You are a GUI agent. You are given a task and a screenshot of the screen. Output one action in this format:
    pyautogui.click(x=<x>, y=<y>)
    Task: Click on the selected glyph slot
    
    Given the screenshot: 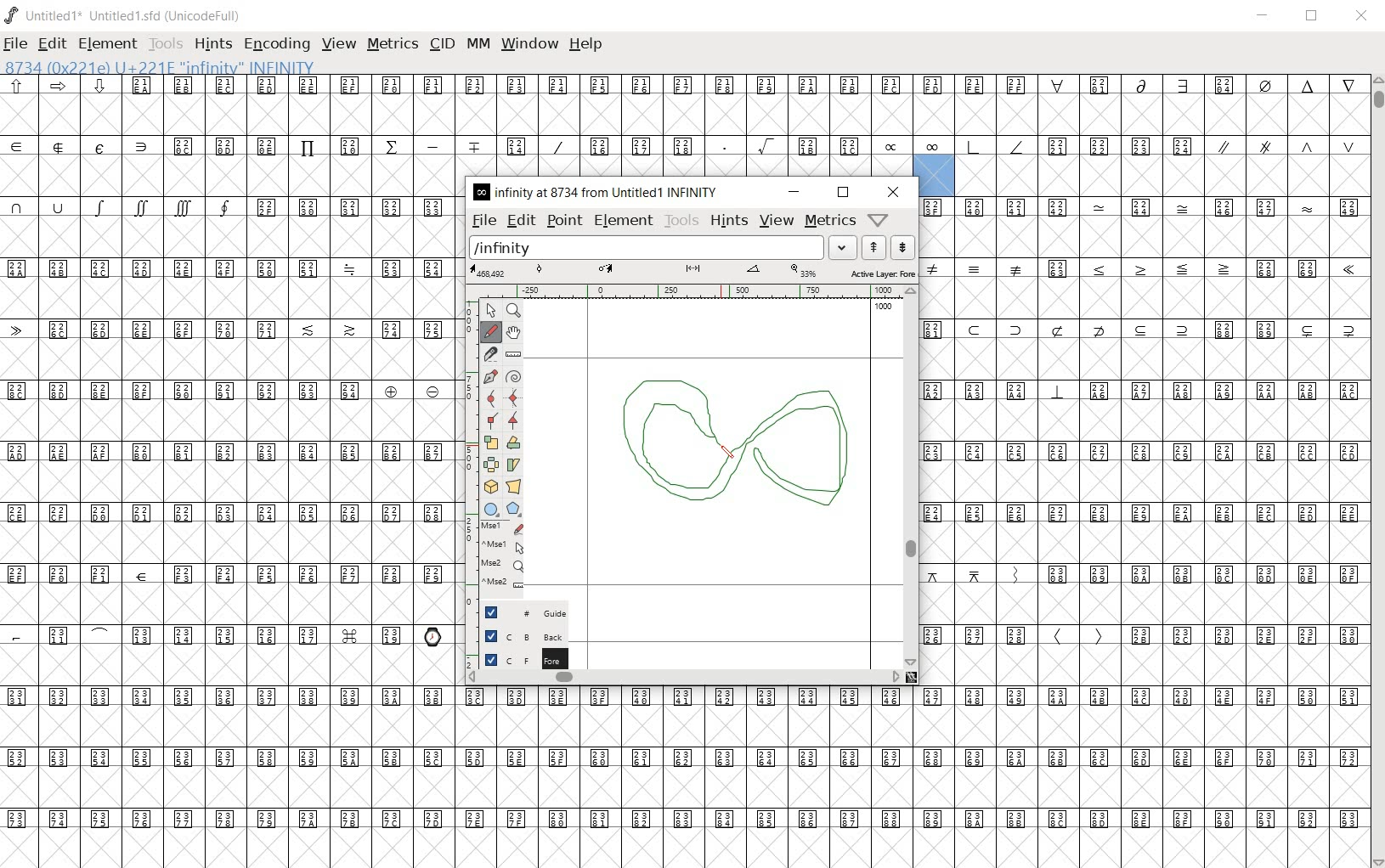 What is the action you would take?
    pyautogui.click(x=935, y=175)
    